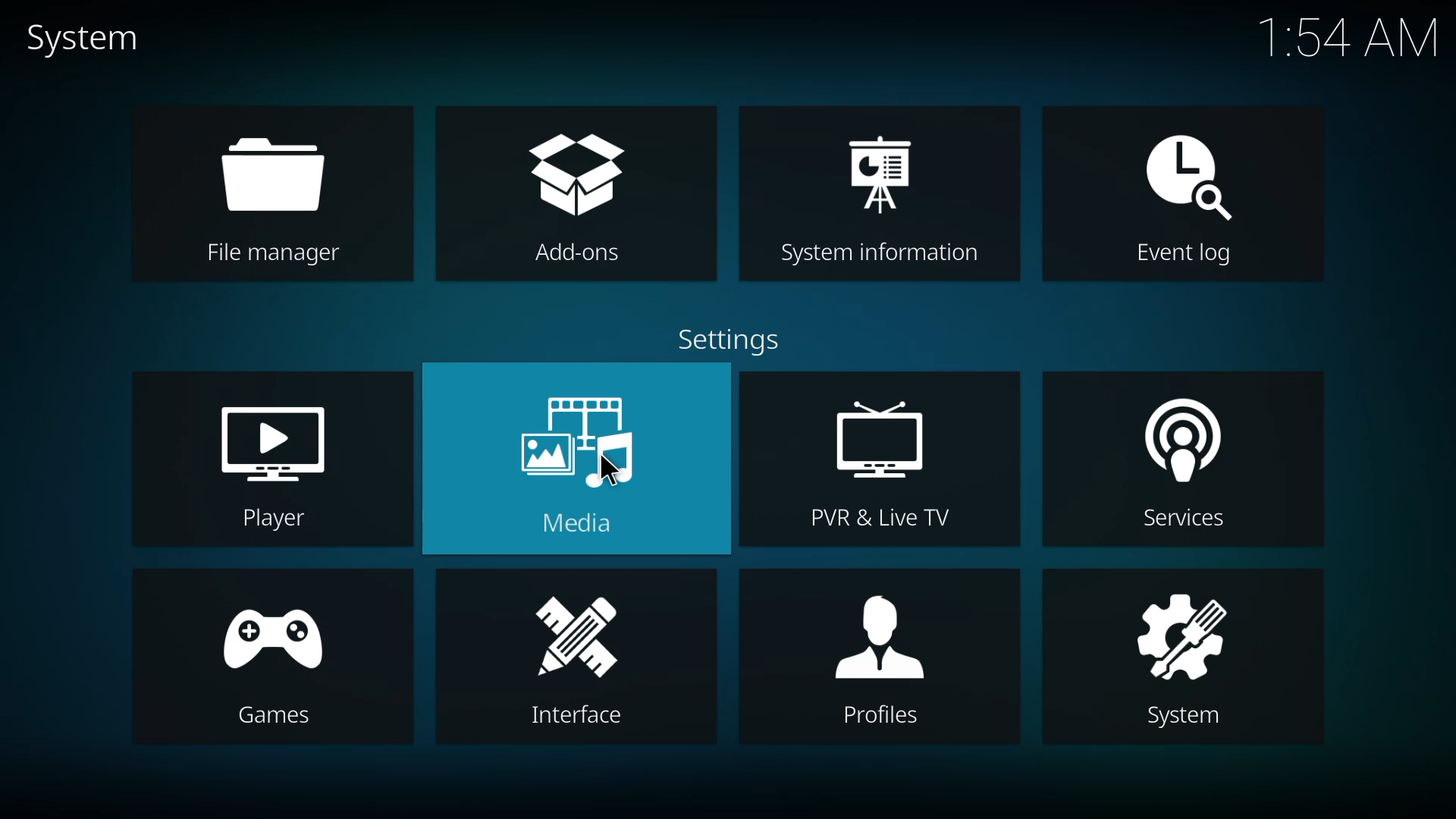  Describe the element at coordinates (579, 661) in the screenshot. I see `interface` at that location.